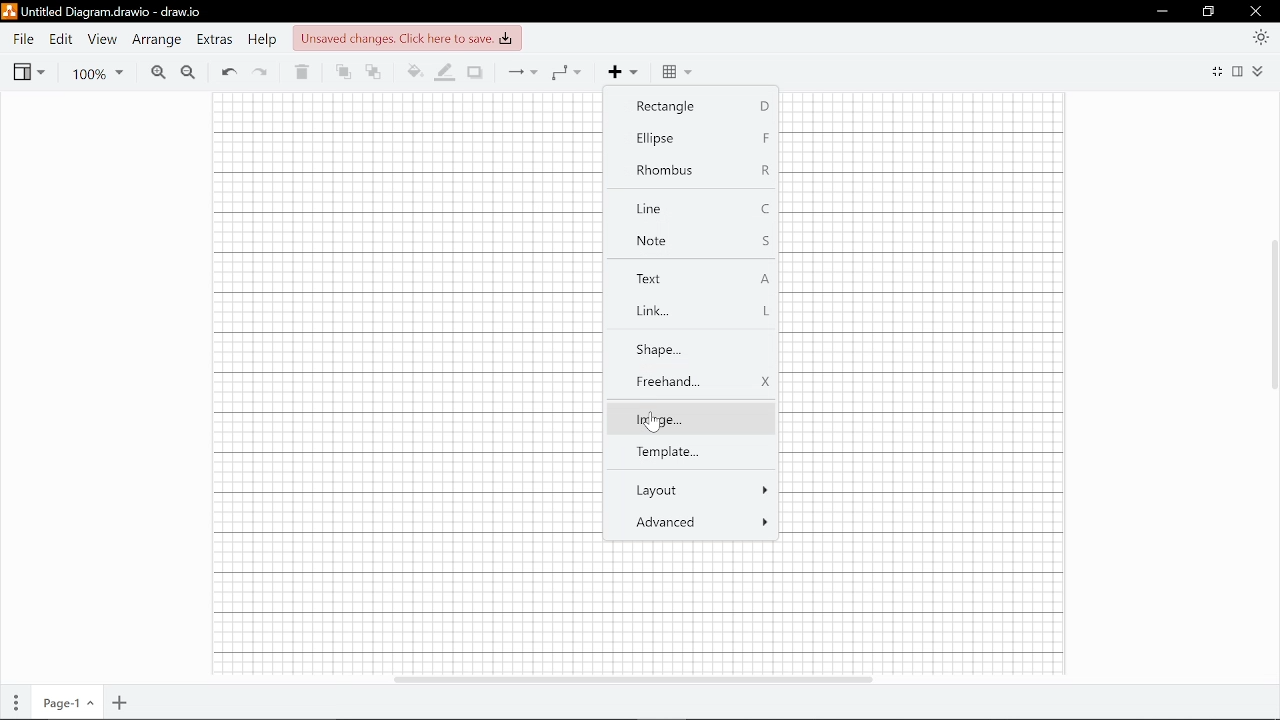 Image resolution: width=1280 pixels, height=720 pixels. Describe the element at coordinates (697, 347) in the screenshot. I see `shape` at that location.